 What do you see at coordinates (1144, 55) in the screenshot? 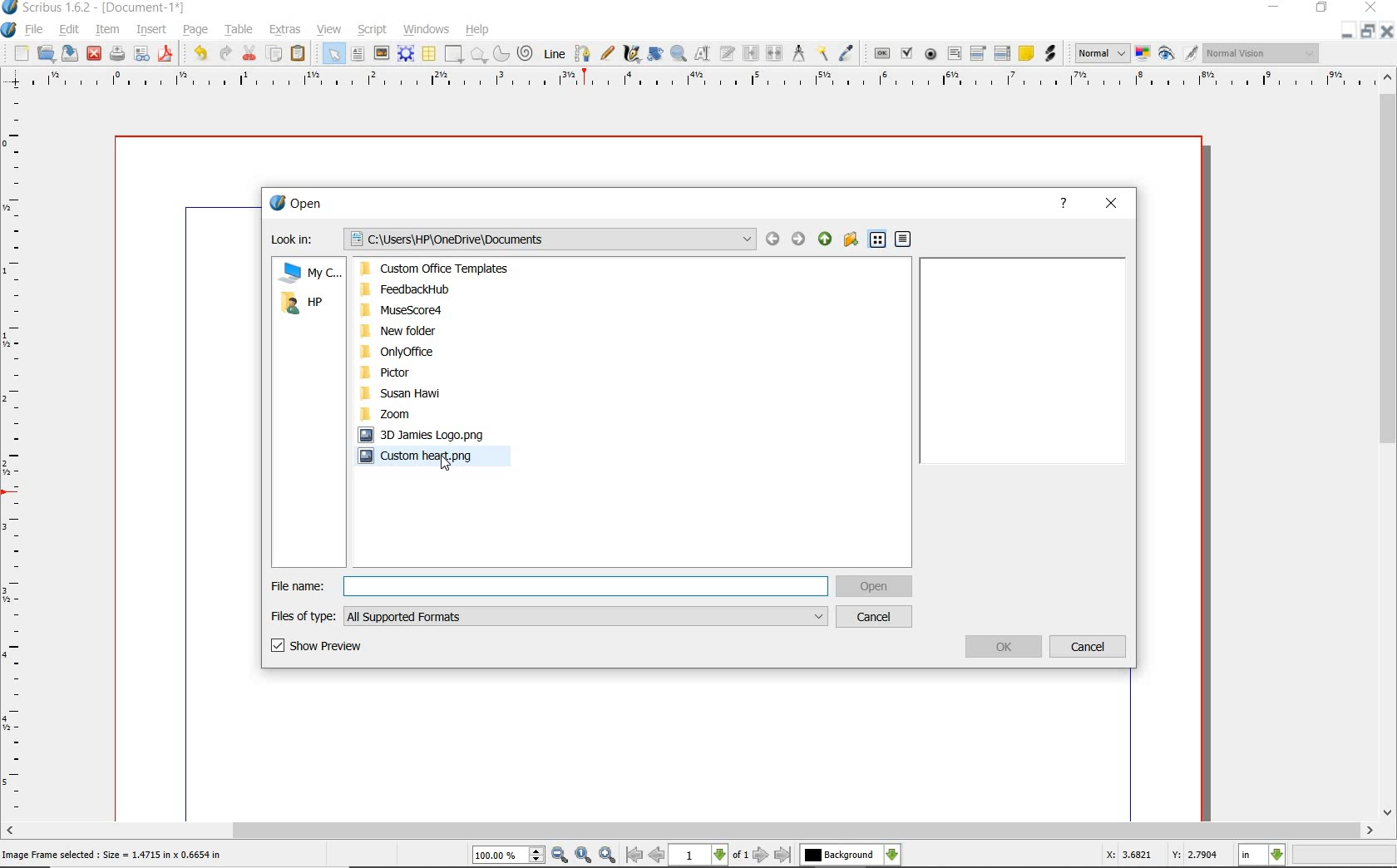
I see `toggle color management system` at bounding box center [1144, 55].